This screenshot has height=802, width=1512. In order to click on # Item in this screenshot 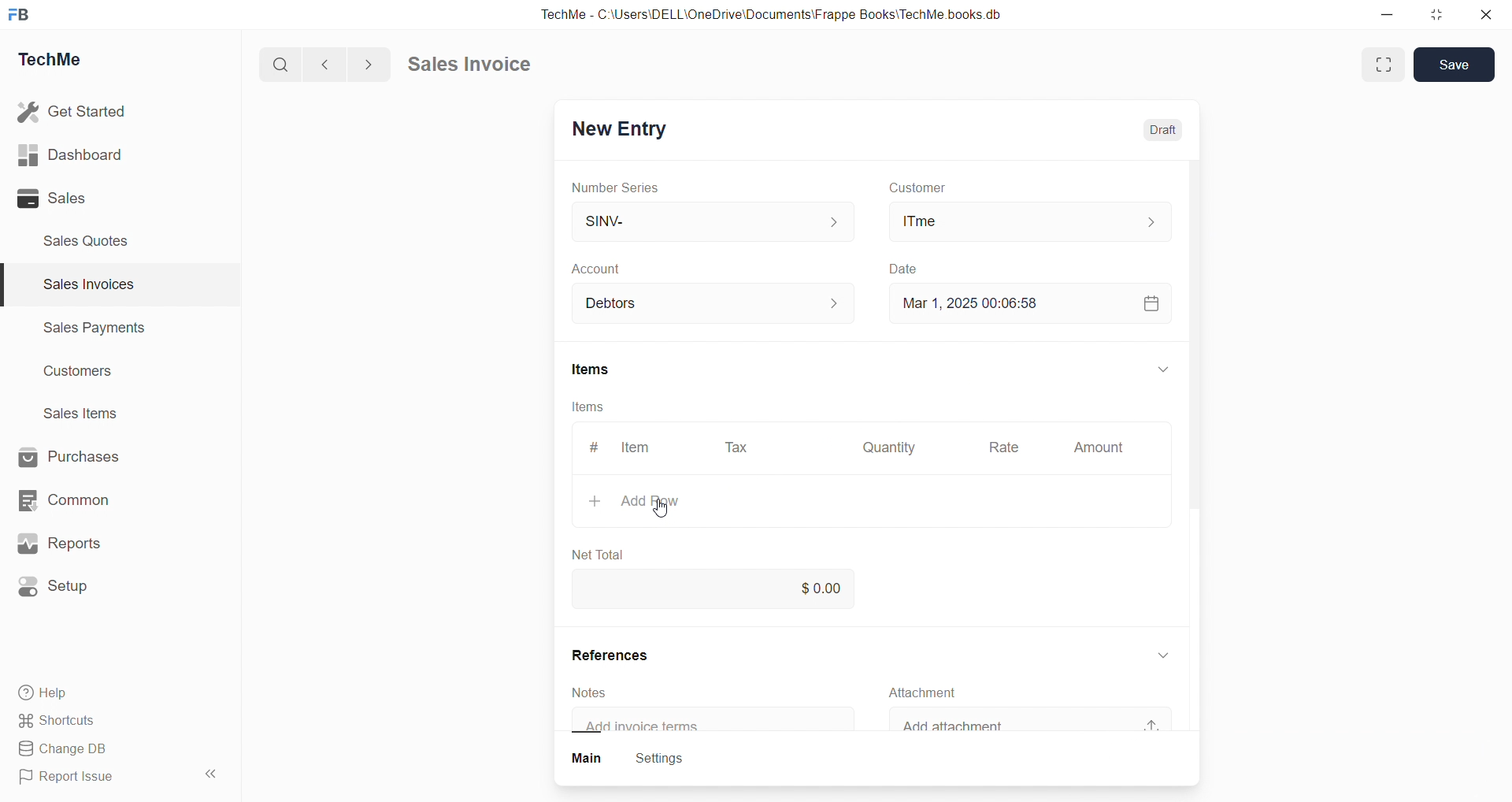, I will do `click(630, 447)`.